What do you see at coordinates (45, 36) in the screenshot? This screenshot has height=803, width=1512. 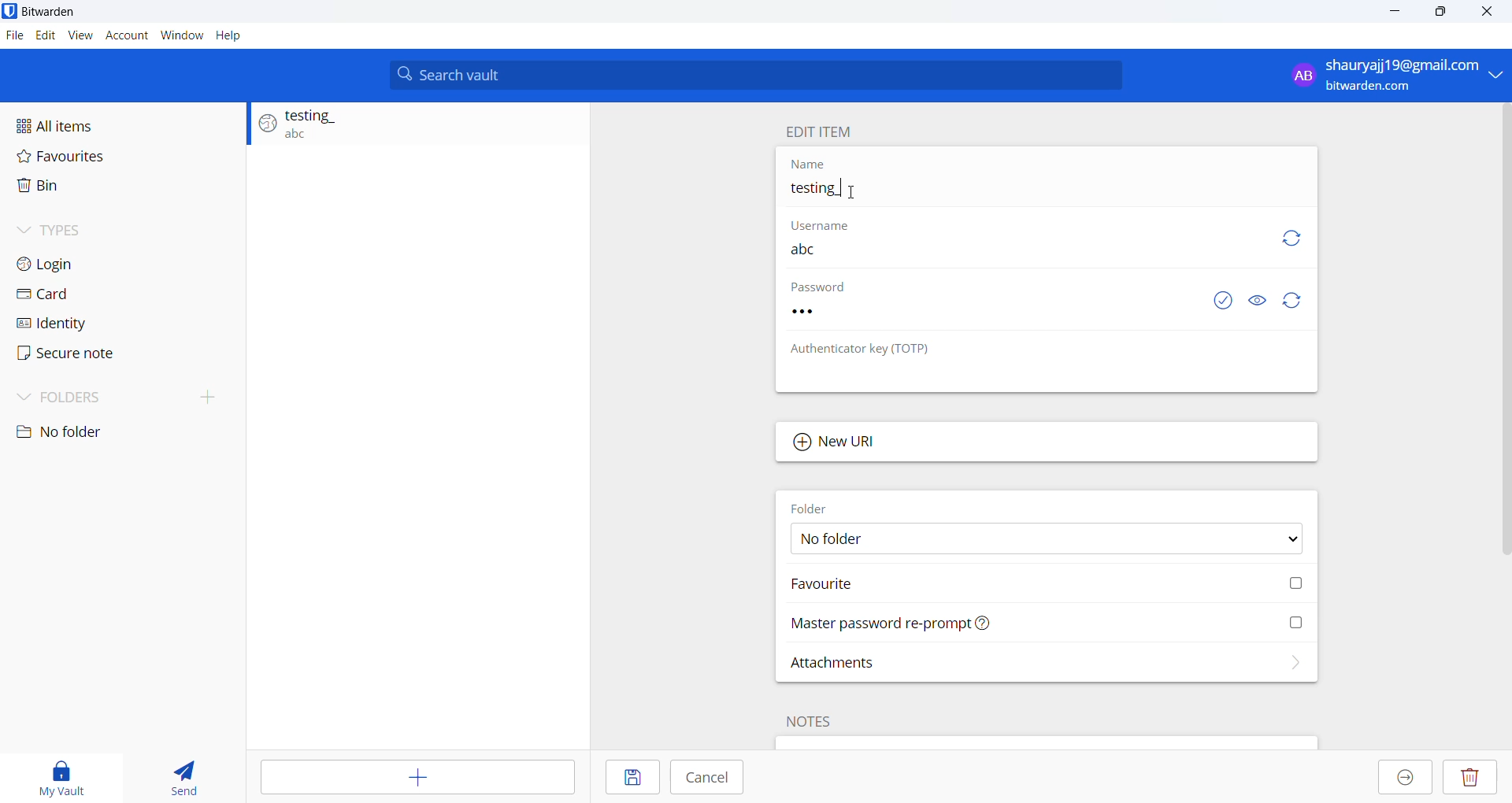 I see `Edit` at bounding box center [45, 36].